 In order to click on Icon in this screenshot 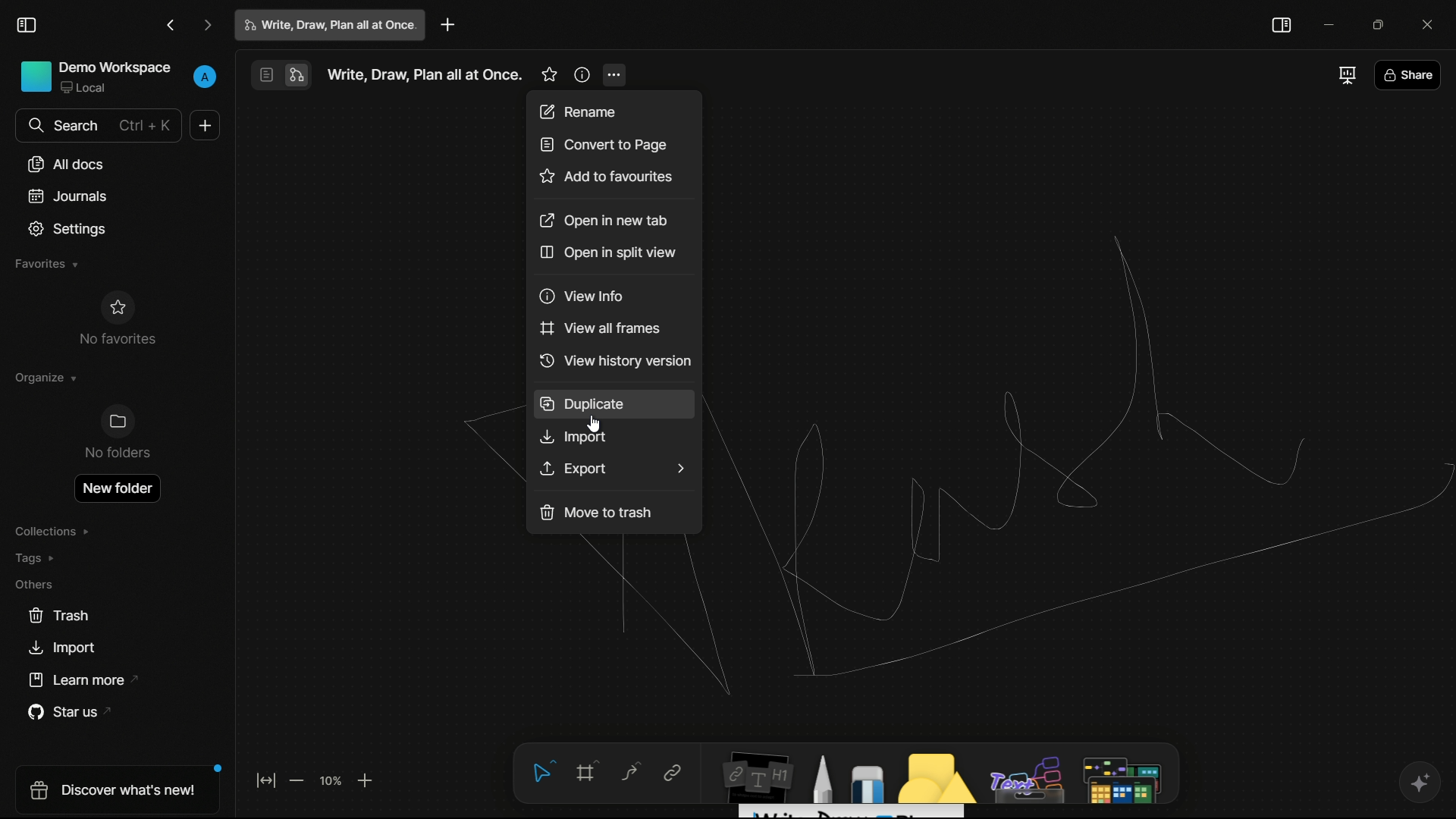, I will do `click(36, 77)`.